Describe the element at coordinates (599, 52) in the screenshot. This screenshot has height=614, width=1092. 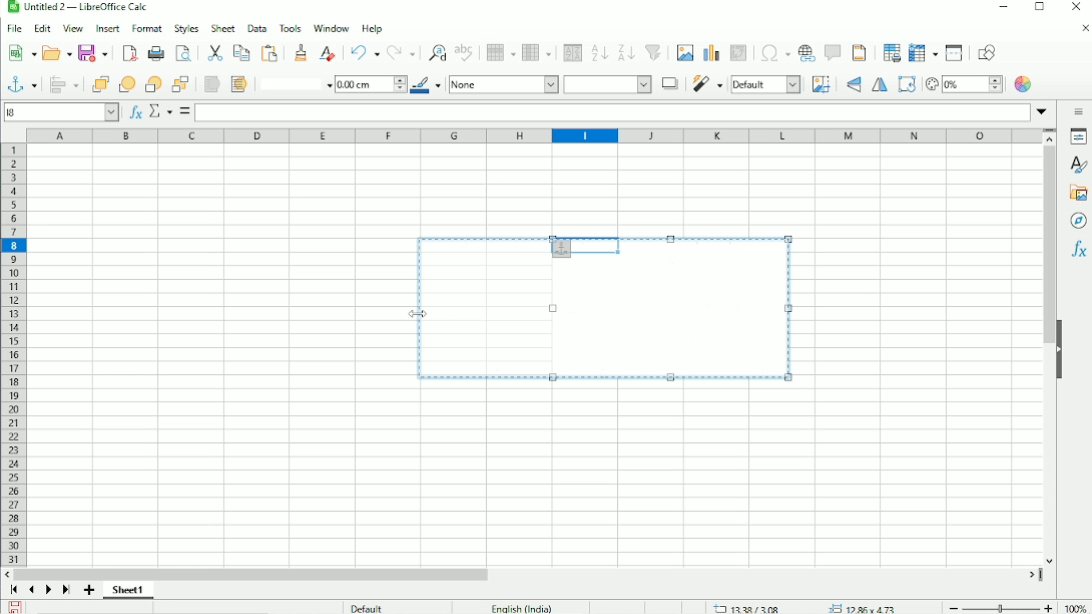
I see `Sort ascending` at that location.